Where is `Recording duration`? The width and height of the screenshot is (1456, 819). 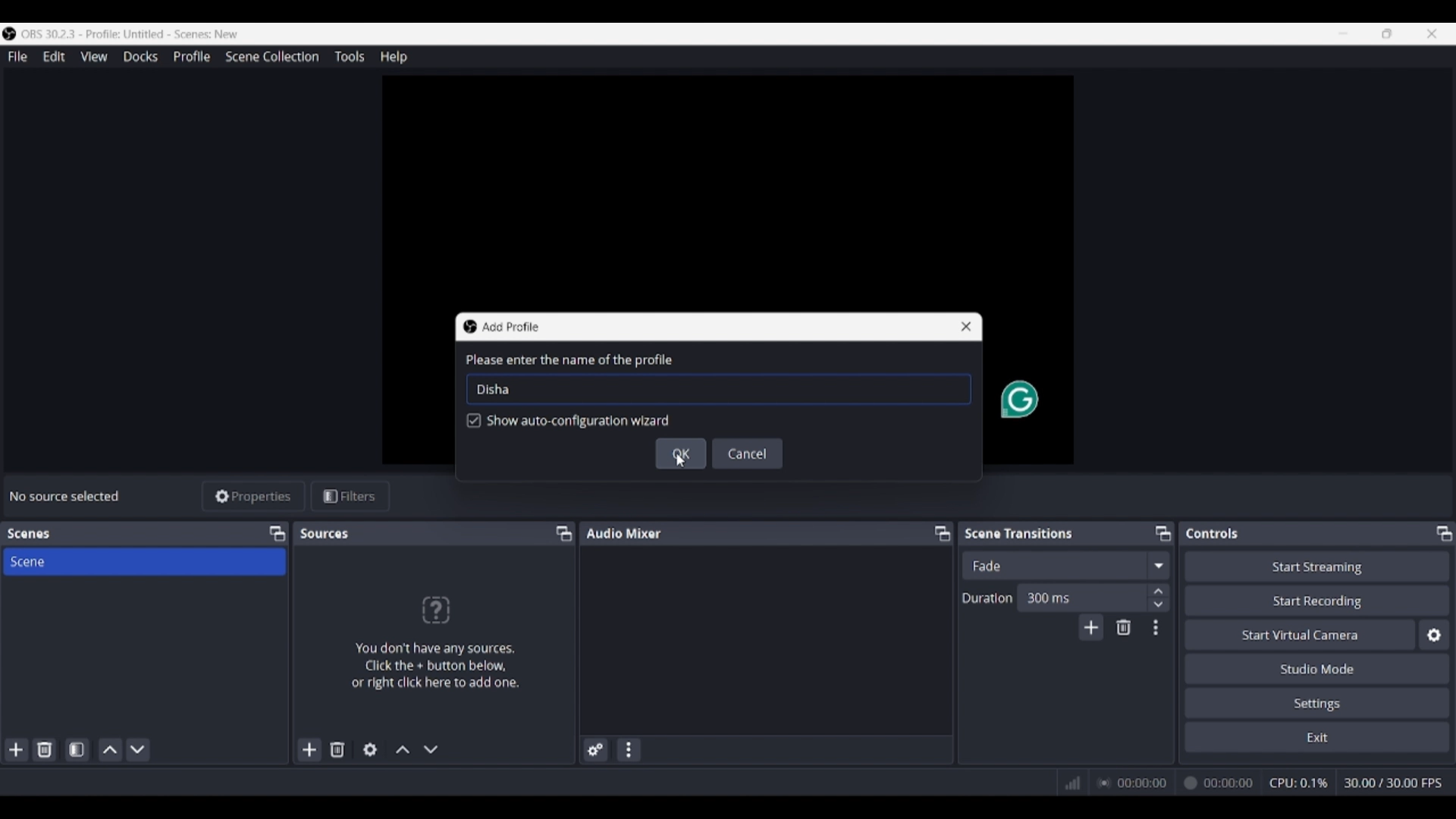
Recording duration is located at coordinates (1175, 783).